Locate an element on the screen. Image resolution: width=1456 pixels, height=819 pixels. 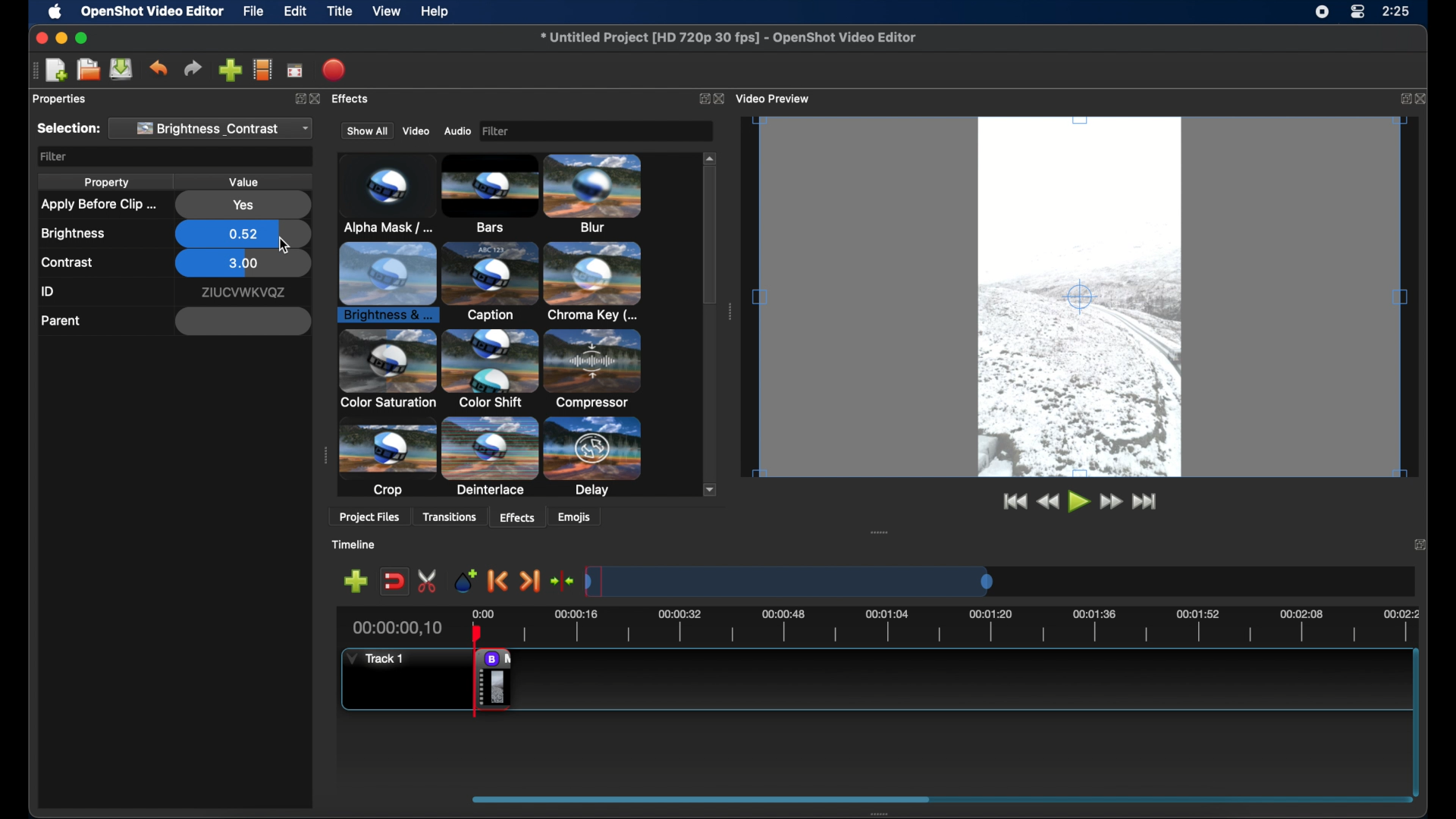
properties is located at coordinates (60, 99).